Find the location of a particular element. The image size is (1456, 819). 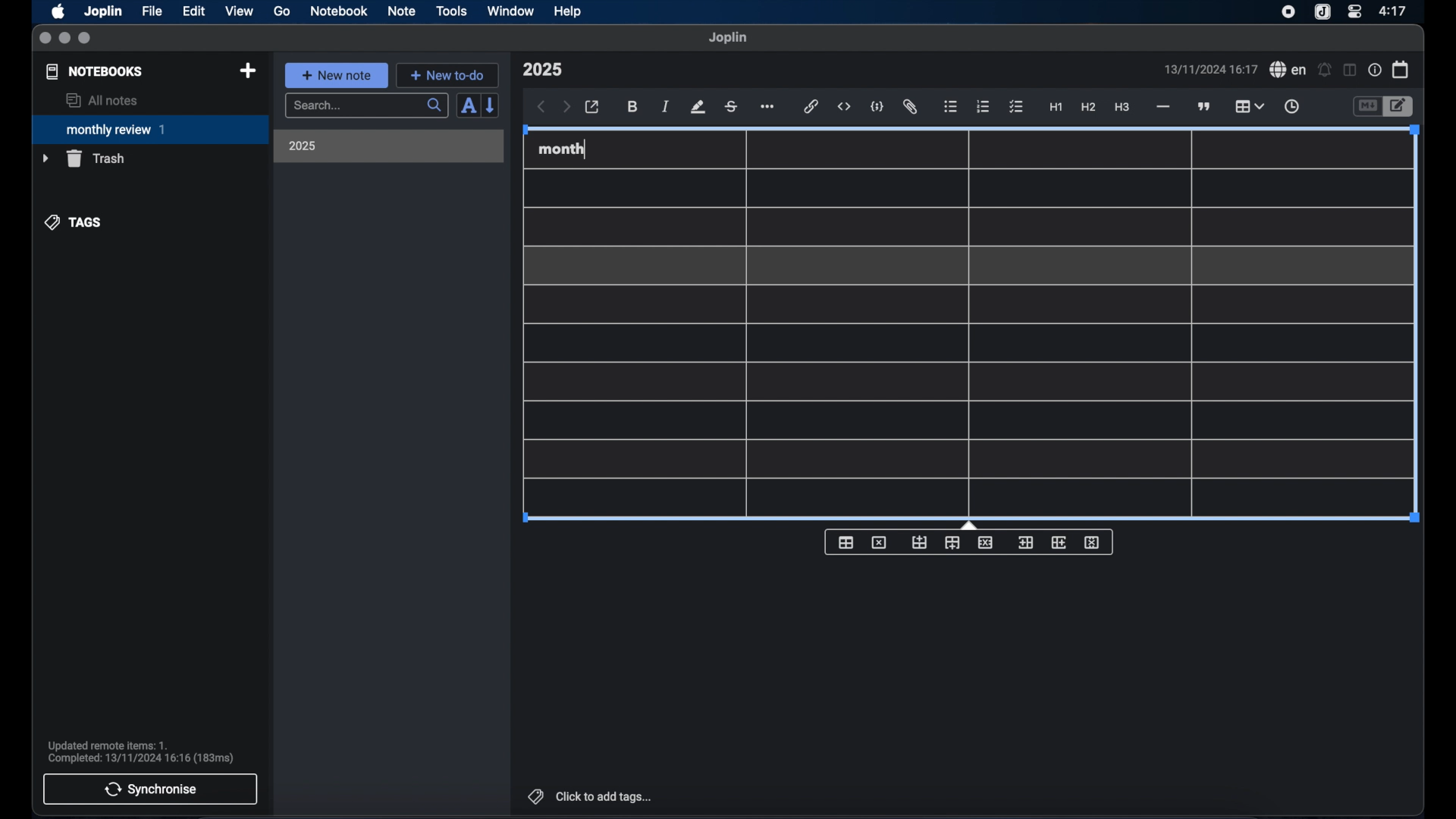

spel check is located at coordinates (1288, 70).